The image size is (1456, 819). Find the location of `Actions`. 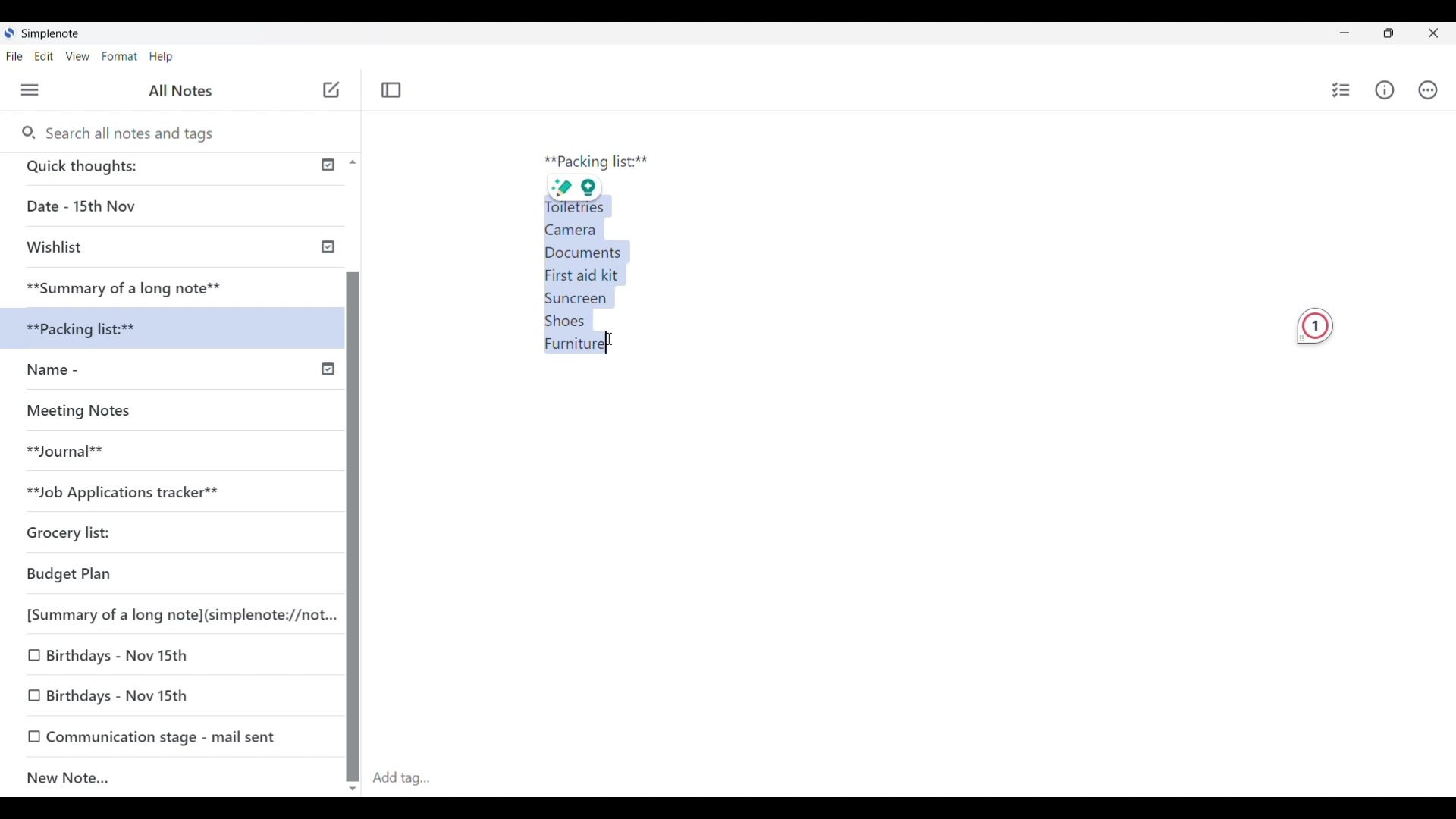

Actions is located at coordinates (1428, 89).